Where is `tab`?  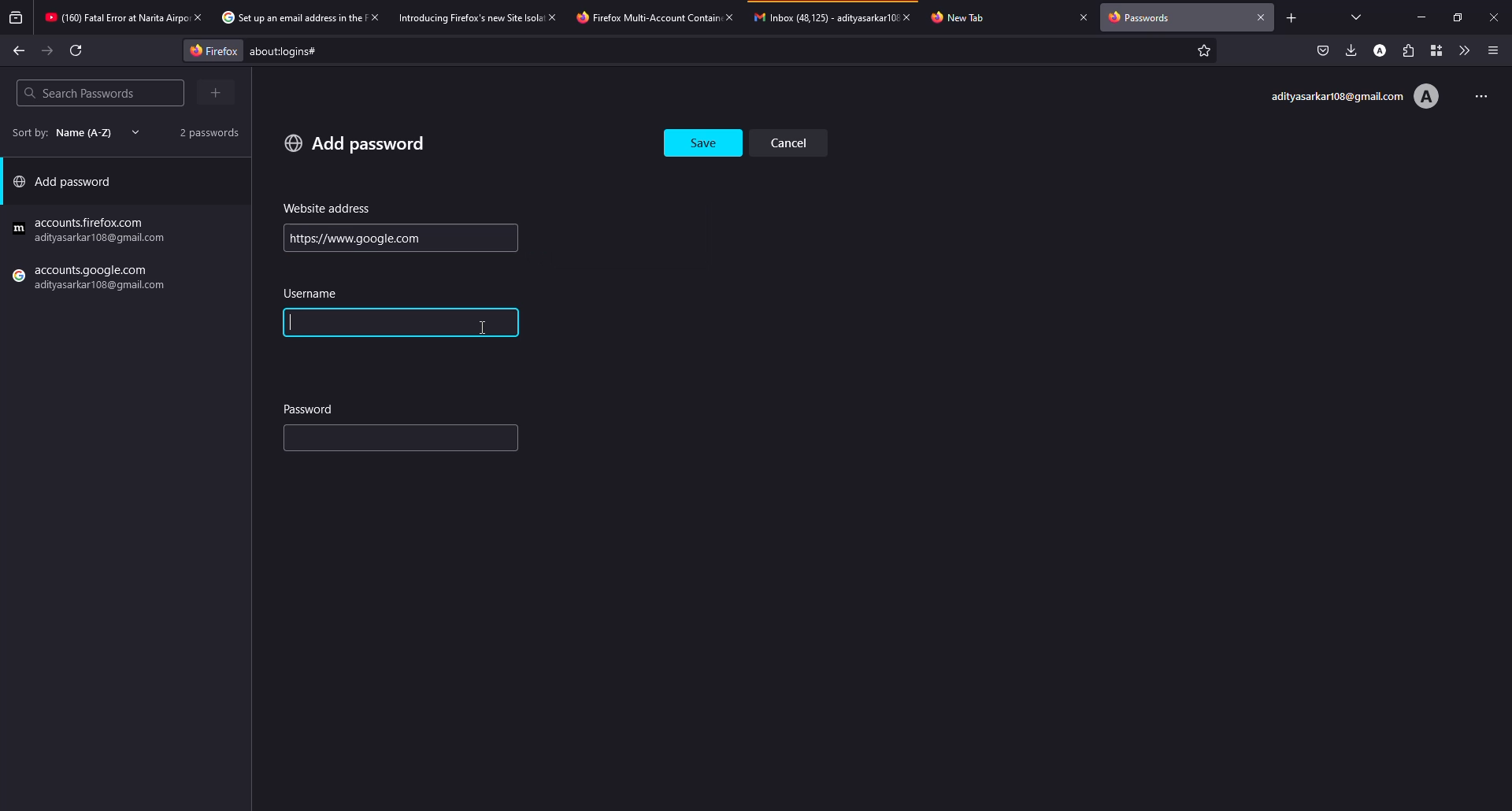 tab is located at coordinates (469, 17).